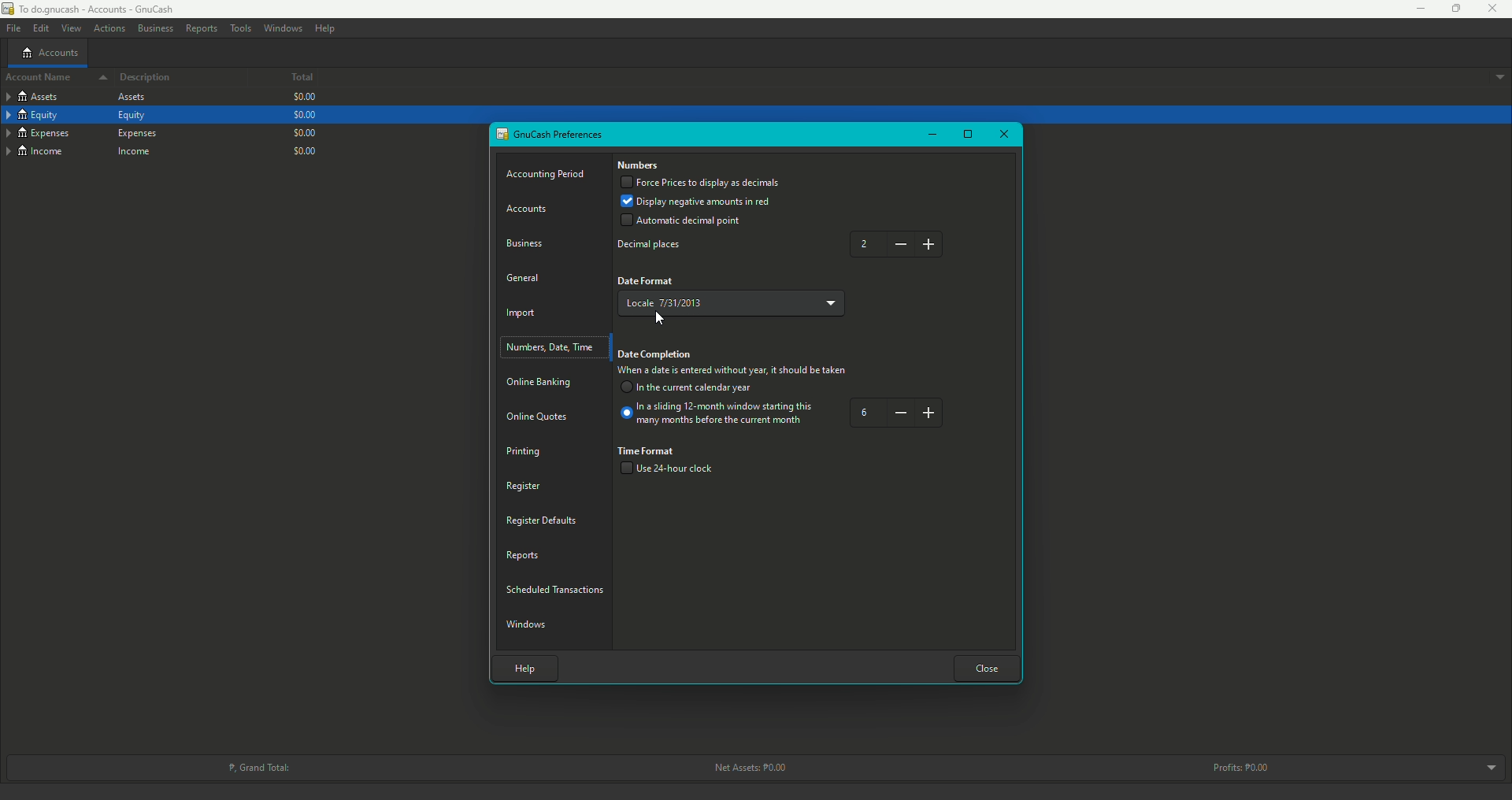  Describe the element at coordinates (548, 175) in the screenshot. I see `Accounting Period` at that location.